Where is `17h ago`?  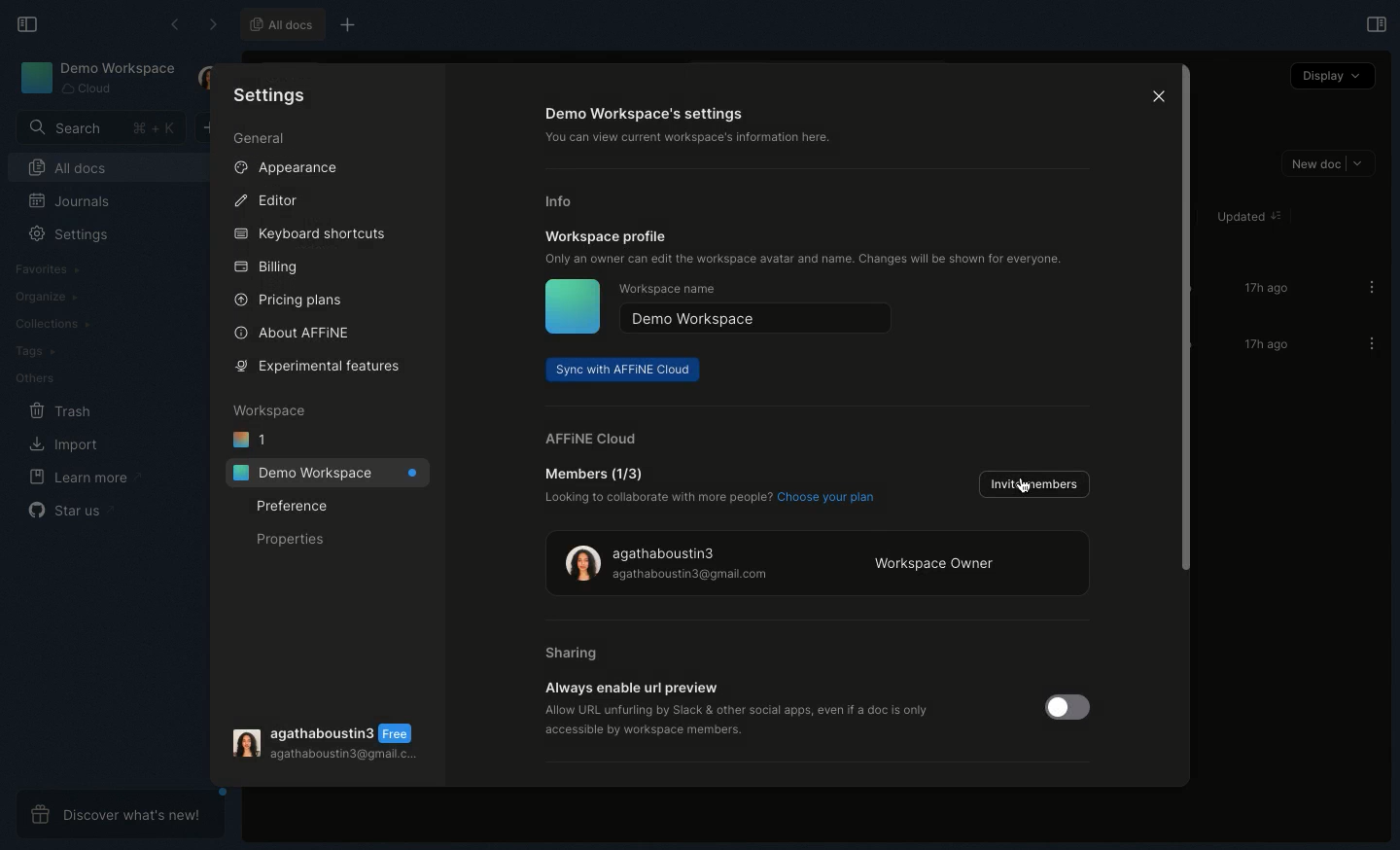
17h ago is located at coordinates (1263, 345).